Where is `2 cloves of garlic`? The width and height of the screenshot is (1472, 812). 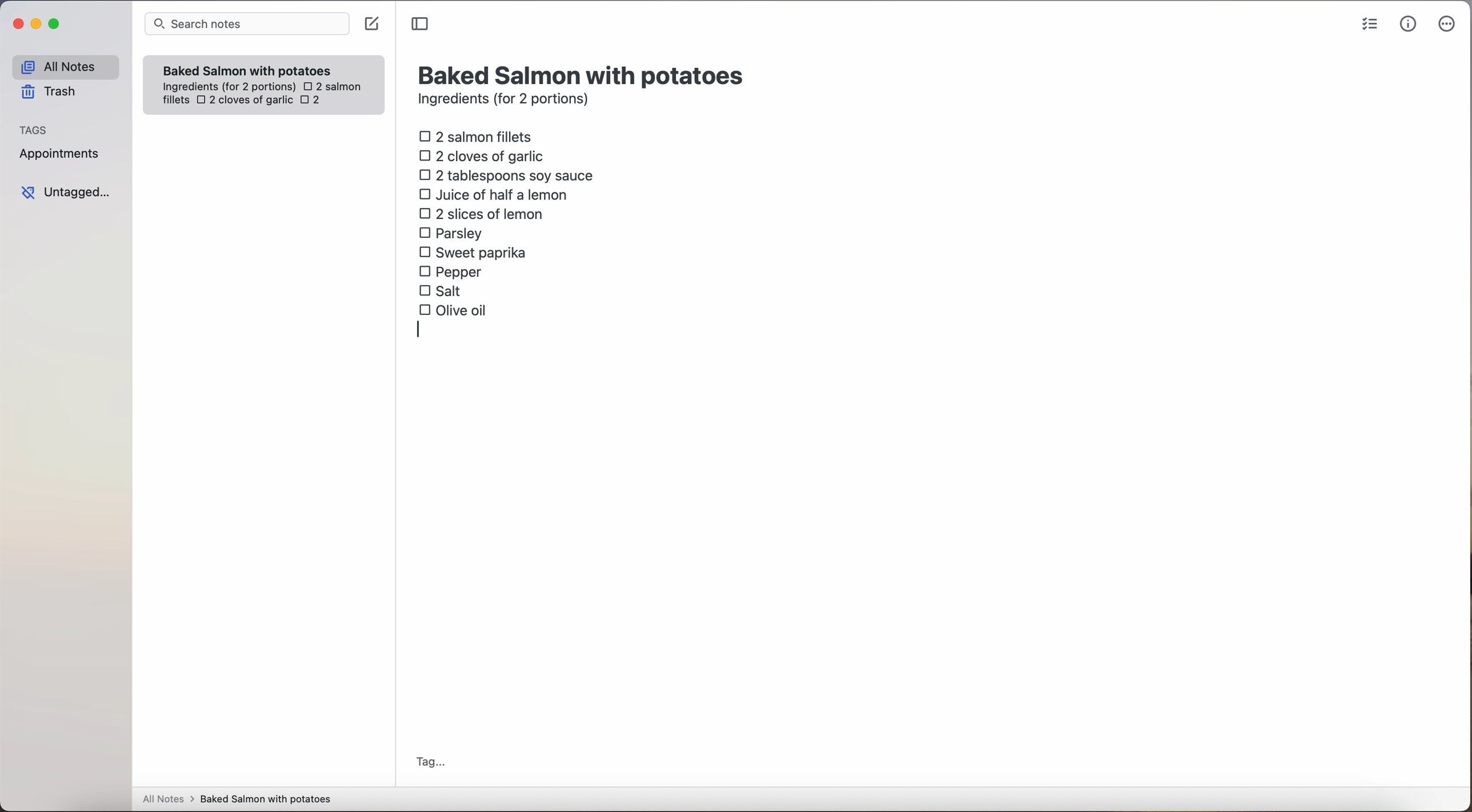
2 cloves of garlic is located at coordinates (485, 154).